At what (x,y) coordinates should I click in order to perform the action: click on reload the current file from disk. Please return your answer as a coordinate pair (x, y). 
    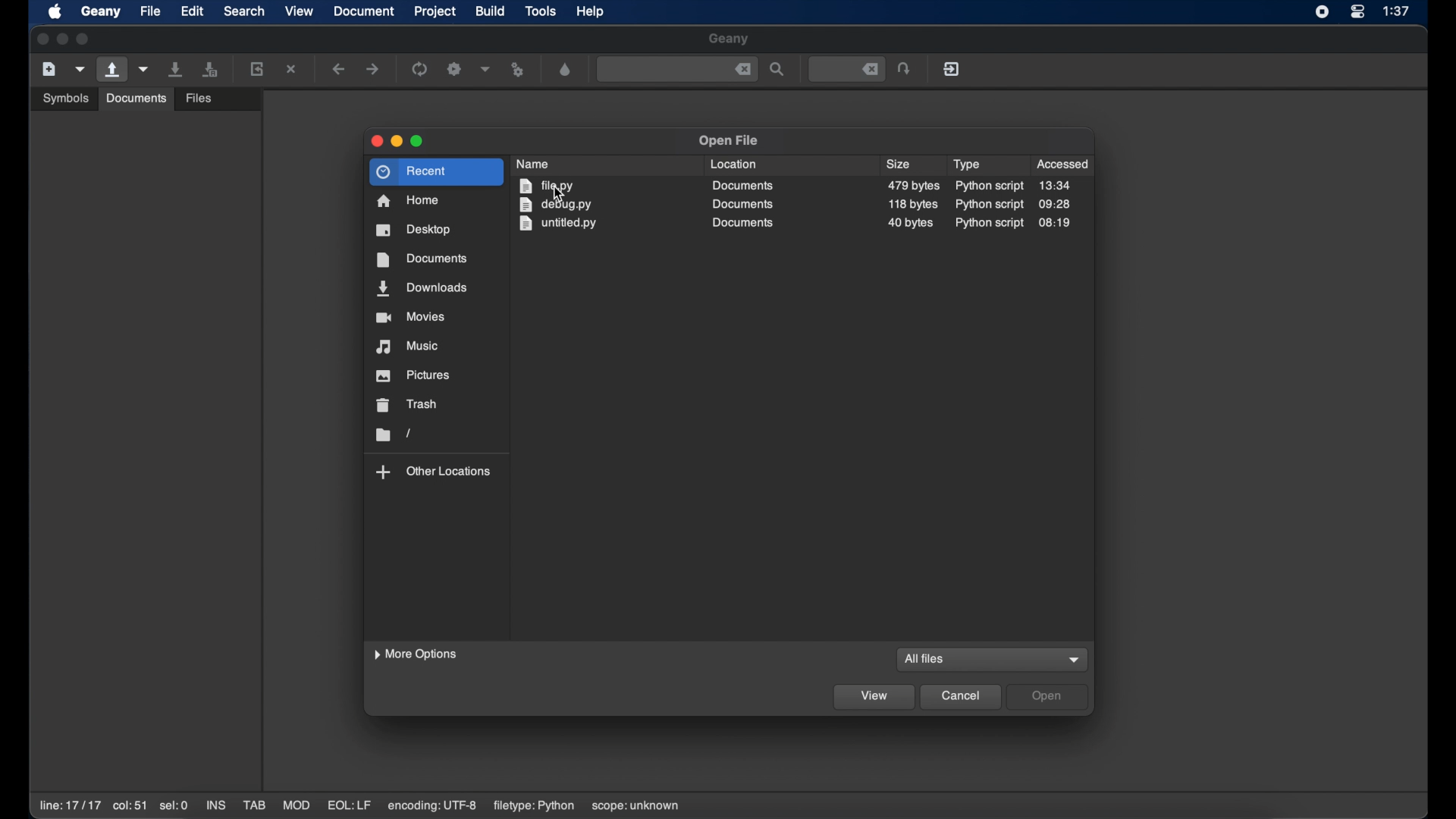
    Looking at the image, I should click on (258, 68).